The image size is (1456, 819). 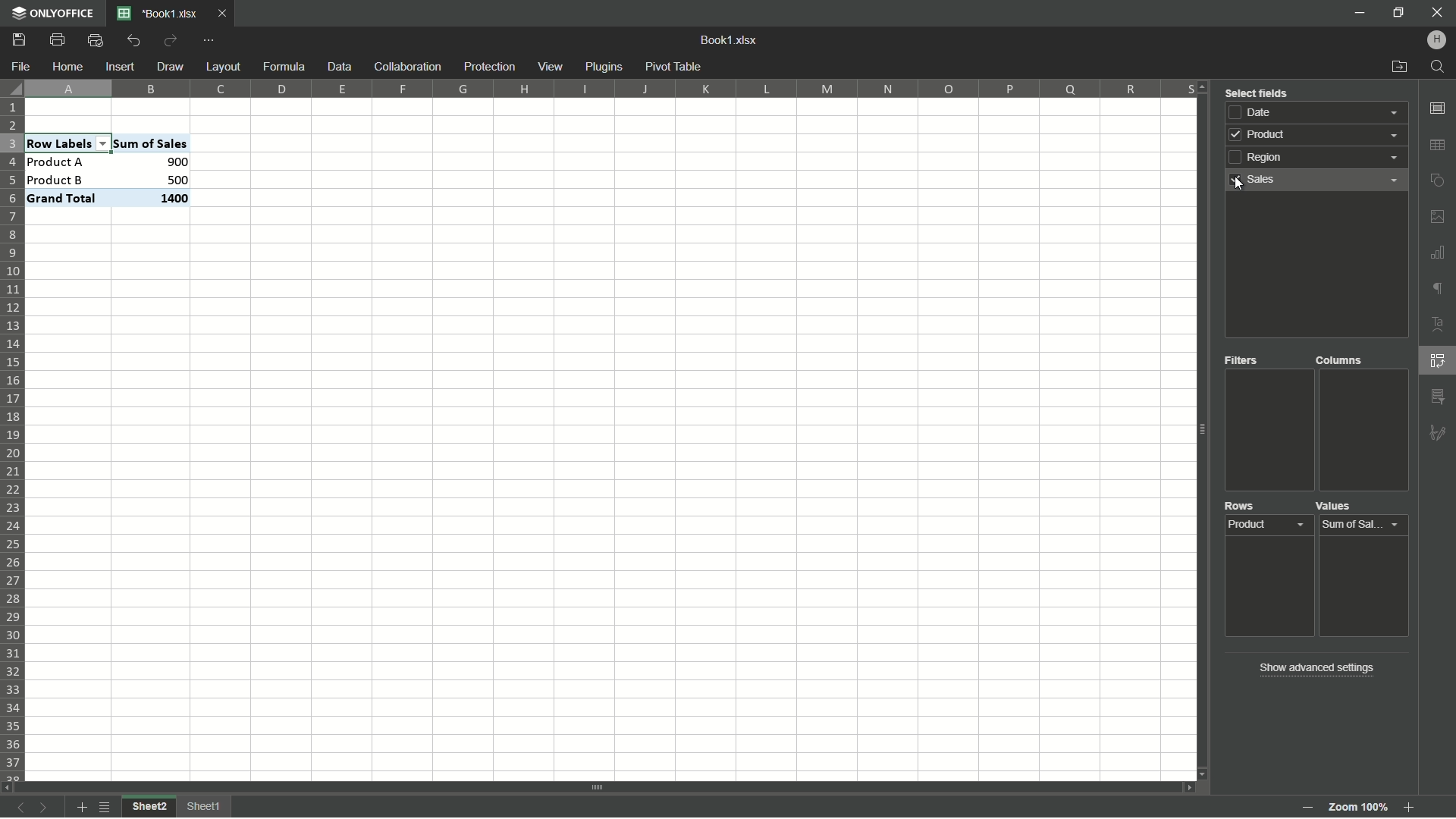 I want to click on insert chart, so click(x=1438, y=252).